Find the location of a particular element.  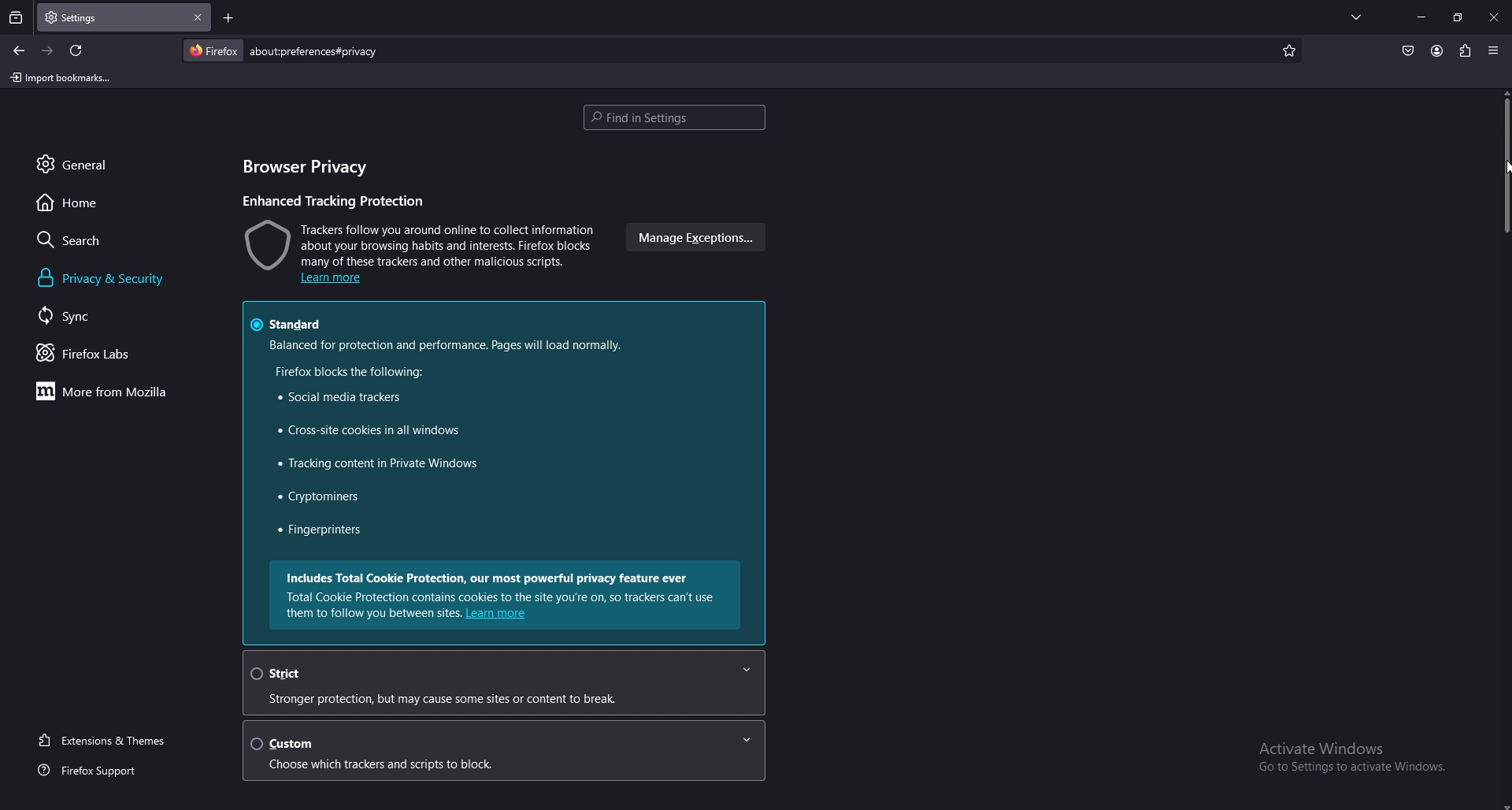

more from mozilla is located at coordinates (110, 393).